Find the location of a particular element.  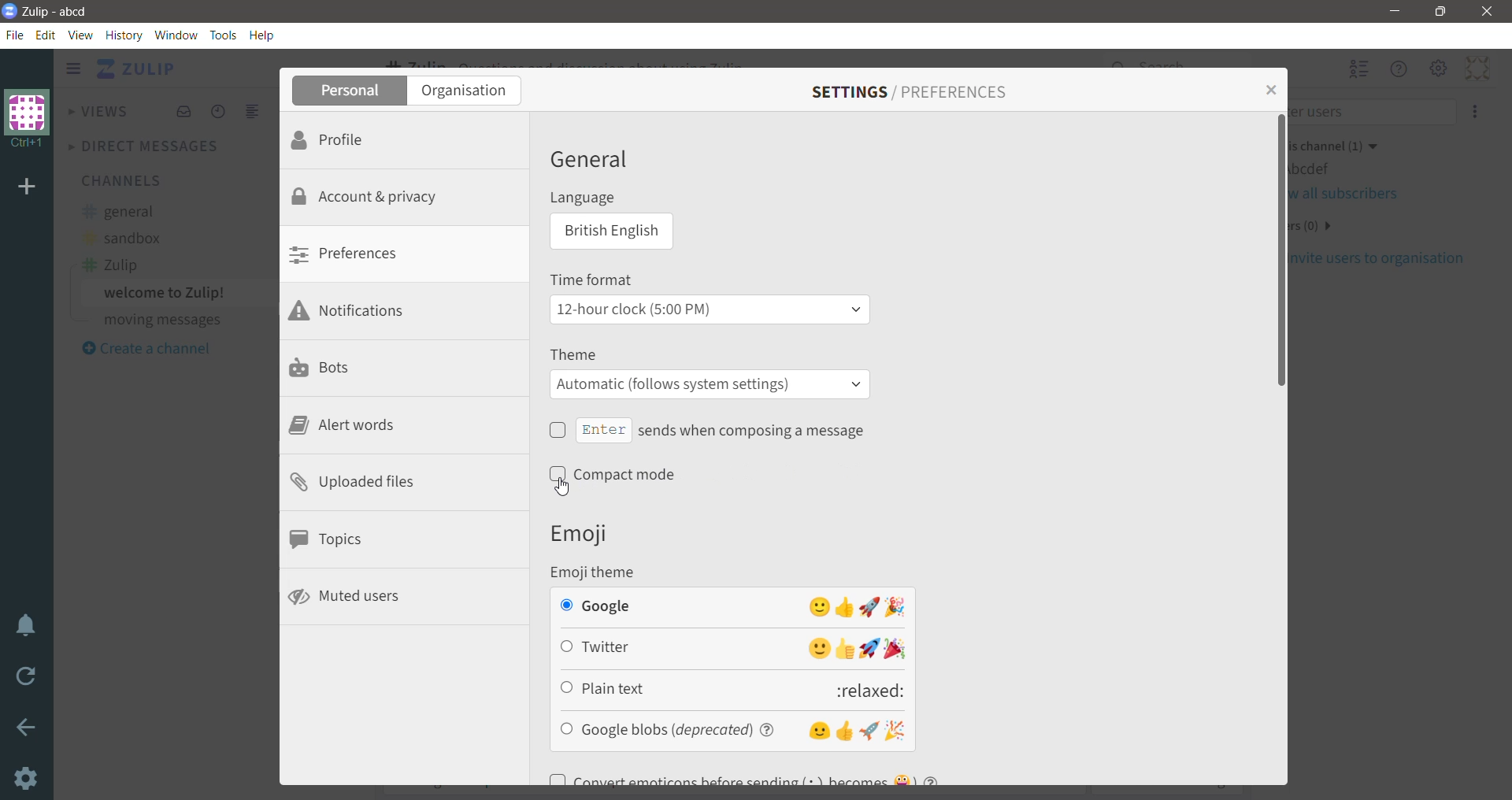

moving messages is located at coordinates (161, 320).